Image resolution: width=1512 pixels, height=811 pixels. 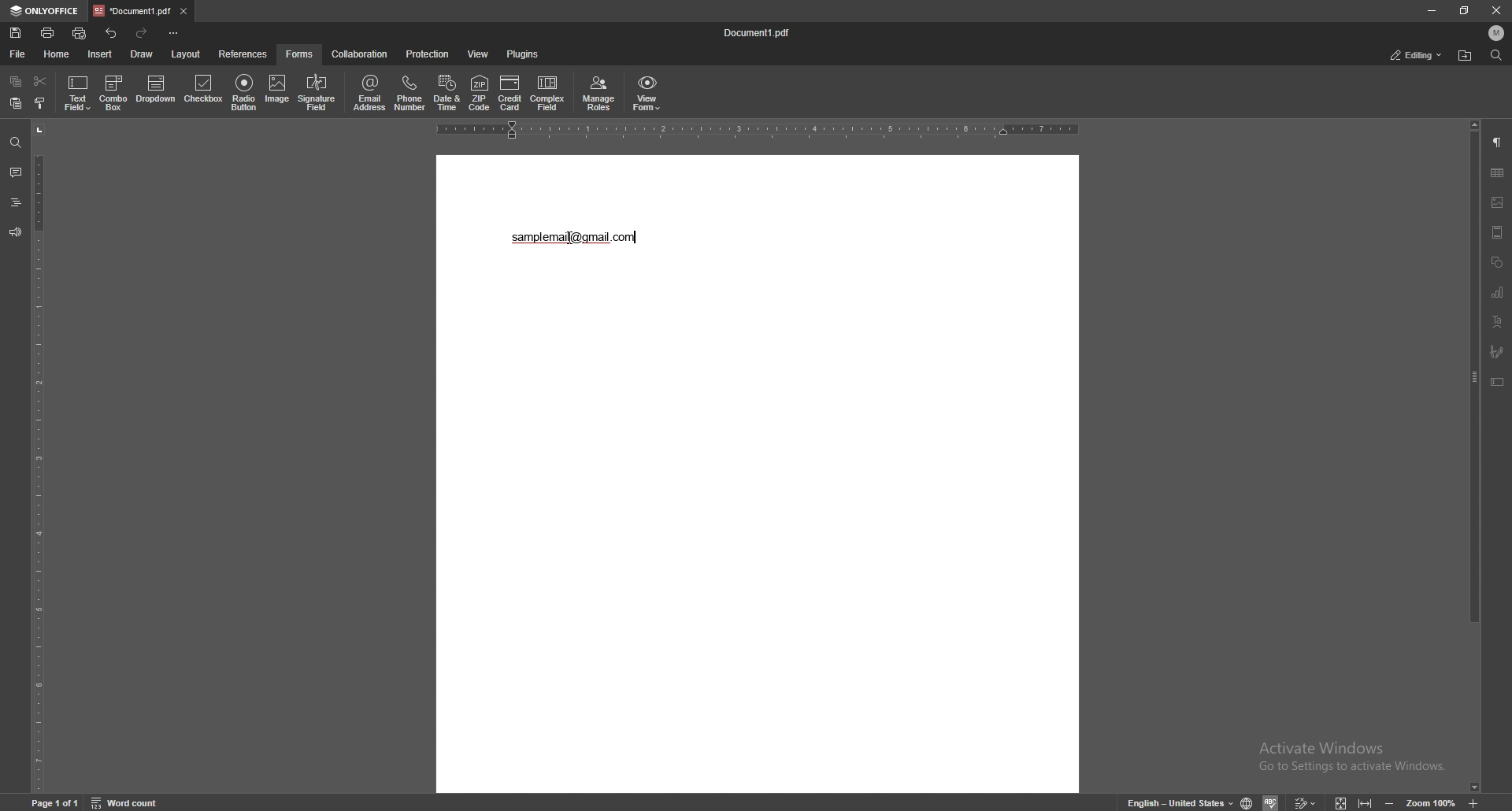 What do you see at coordinates (116, 93) in the screenshot?
I see `combo box` at bounding box center [116, 93].